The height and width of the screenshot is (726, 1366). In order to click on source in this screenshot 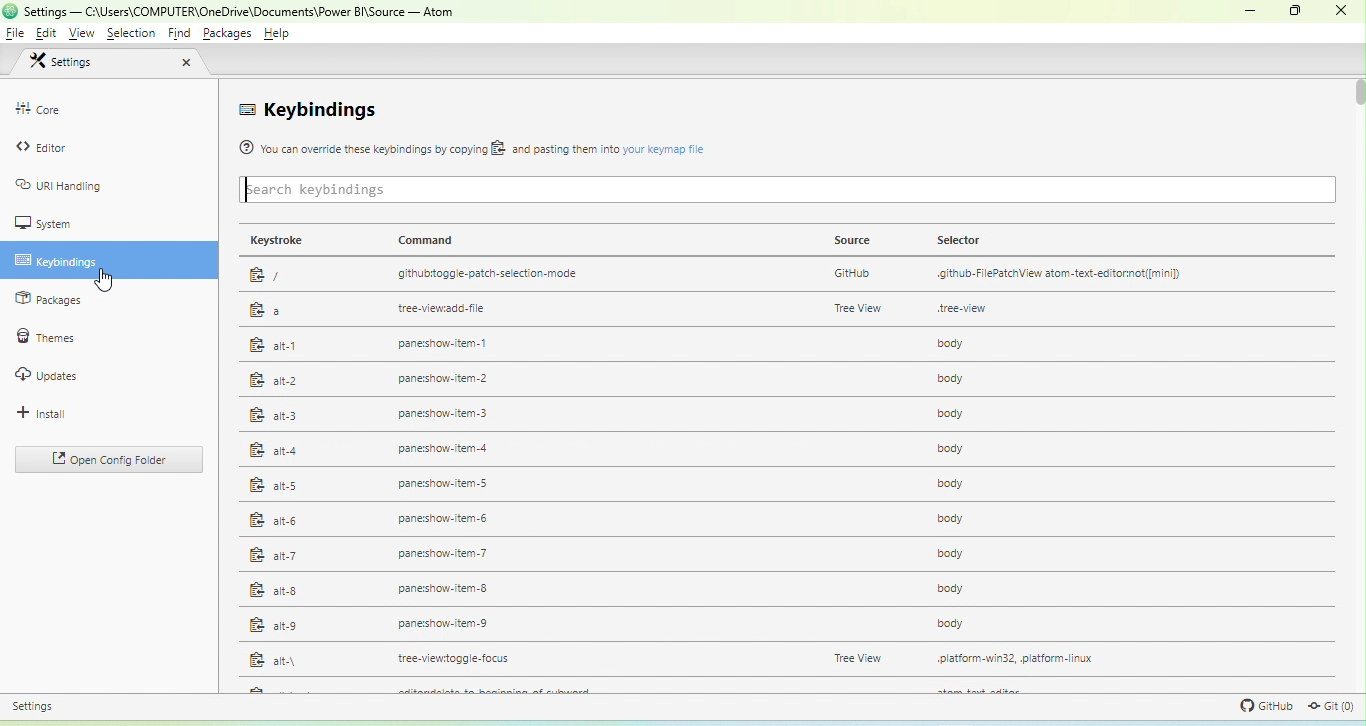, I will do `click(862, 462)`.